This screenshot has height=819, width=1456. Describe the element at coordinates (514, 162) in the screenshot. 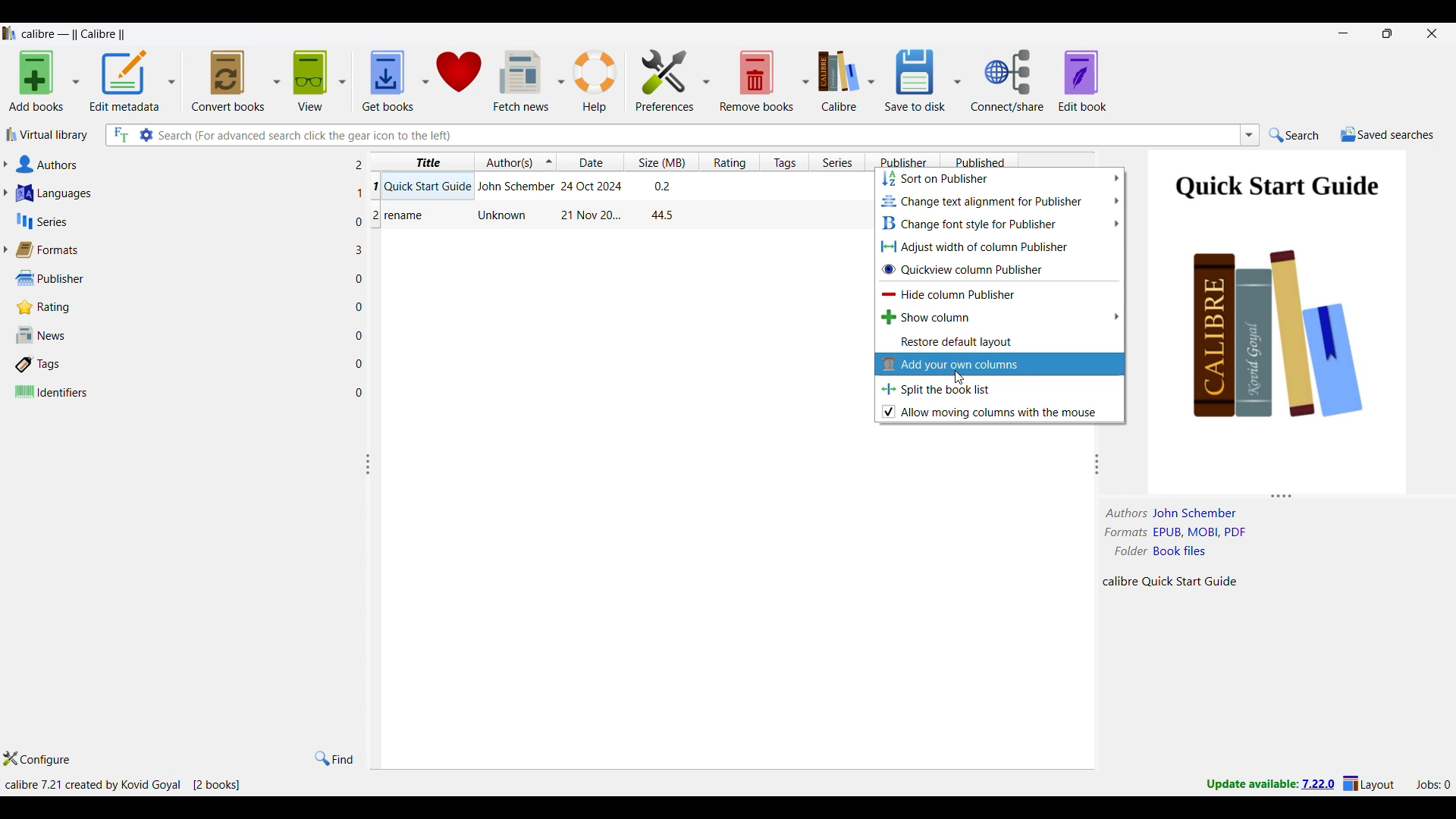

I see `Authors column, current sorting` at that location.